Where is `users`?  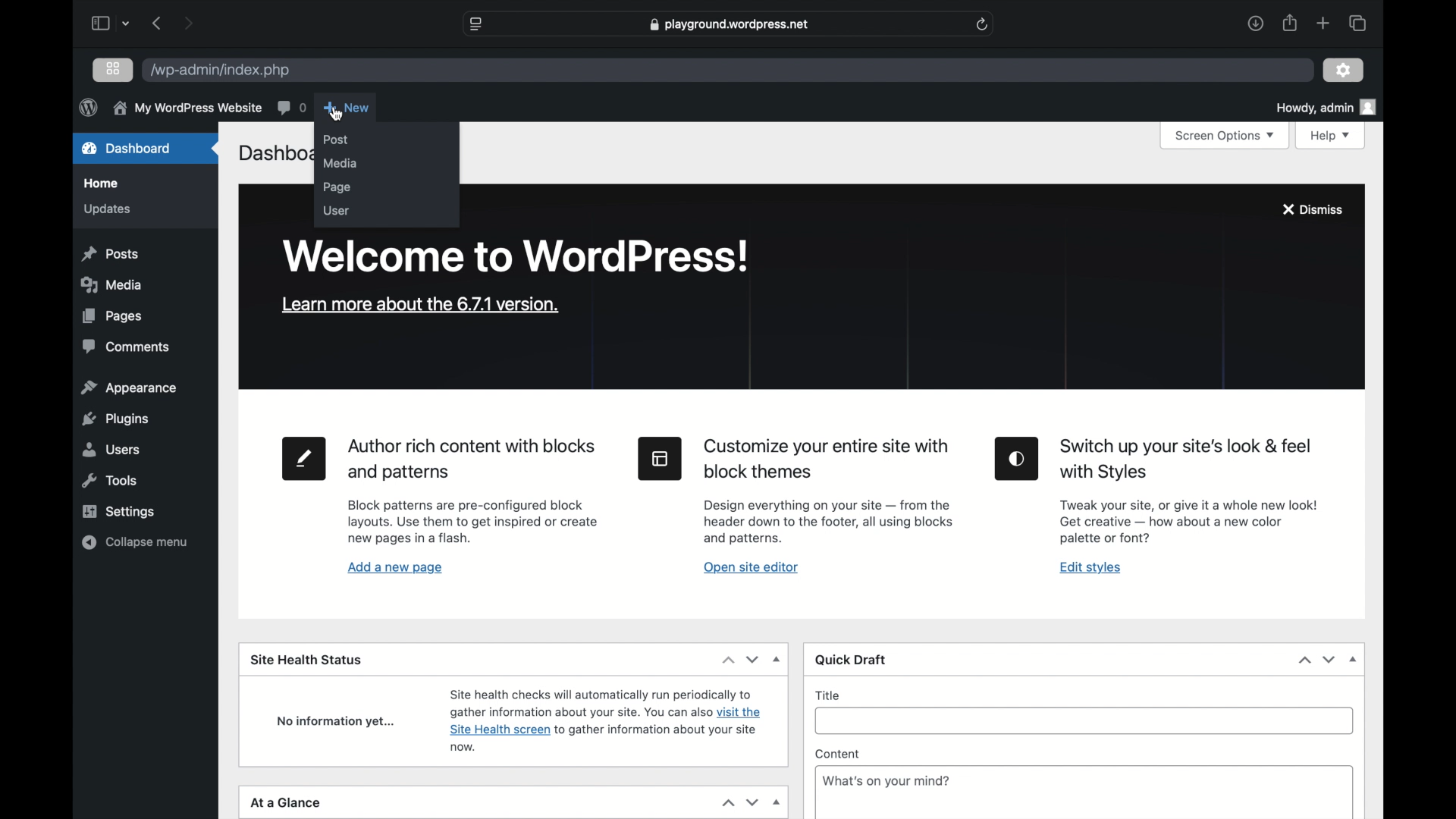
users is located at coordinates (112, 450).